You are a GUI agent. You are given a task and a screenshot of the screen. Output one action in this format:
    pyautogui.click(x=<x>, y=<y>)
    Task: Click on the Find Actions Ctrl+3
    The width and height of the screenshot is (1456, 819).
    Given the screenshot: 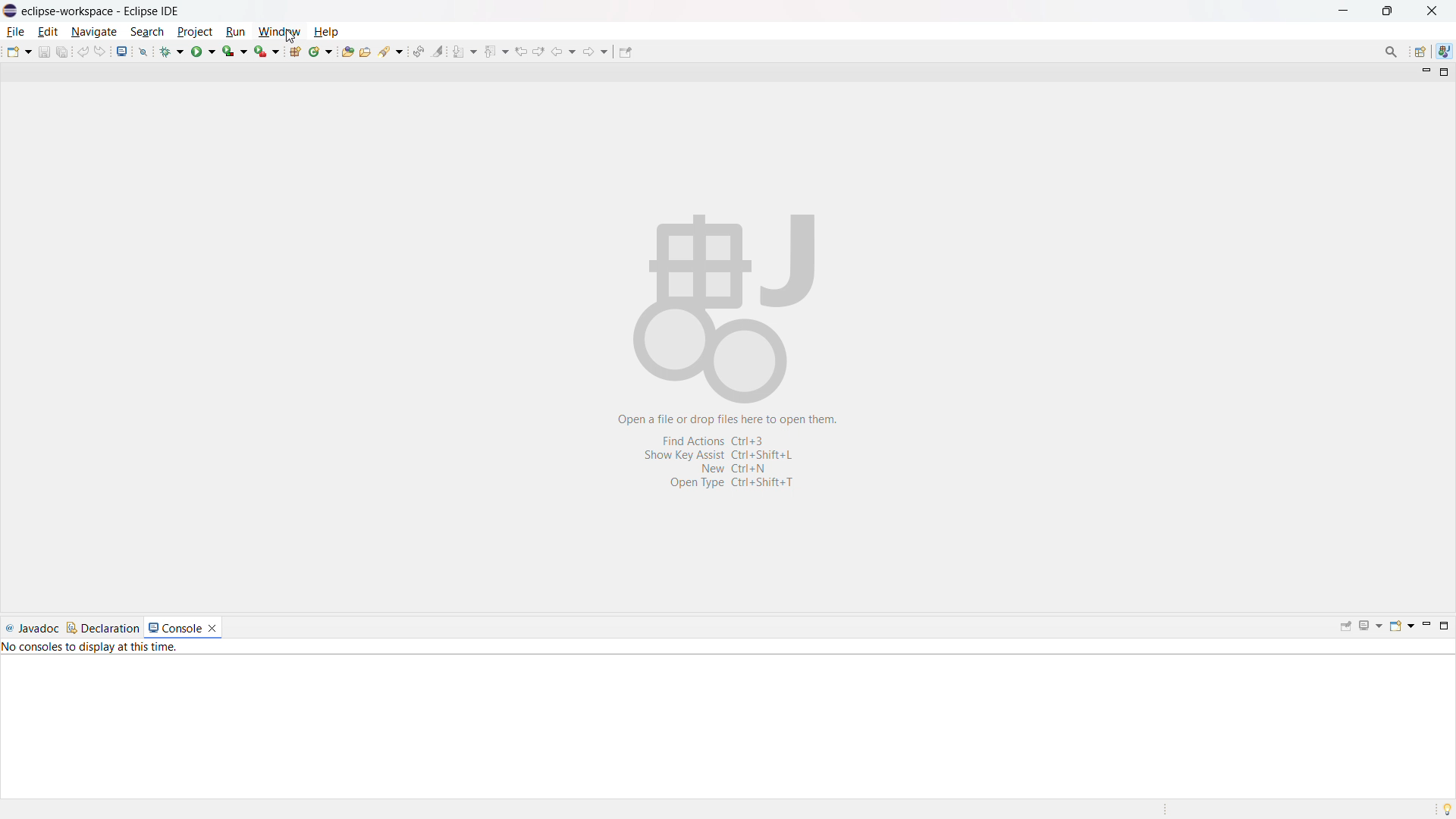 What is the action you would take?
    pyautogui.click(x=728, y=440)
    